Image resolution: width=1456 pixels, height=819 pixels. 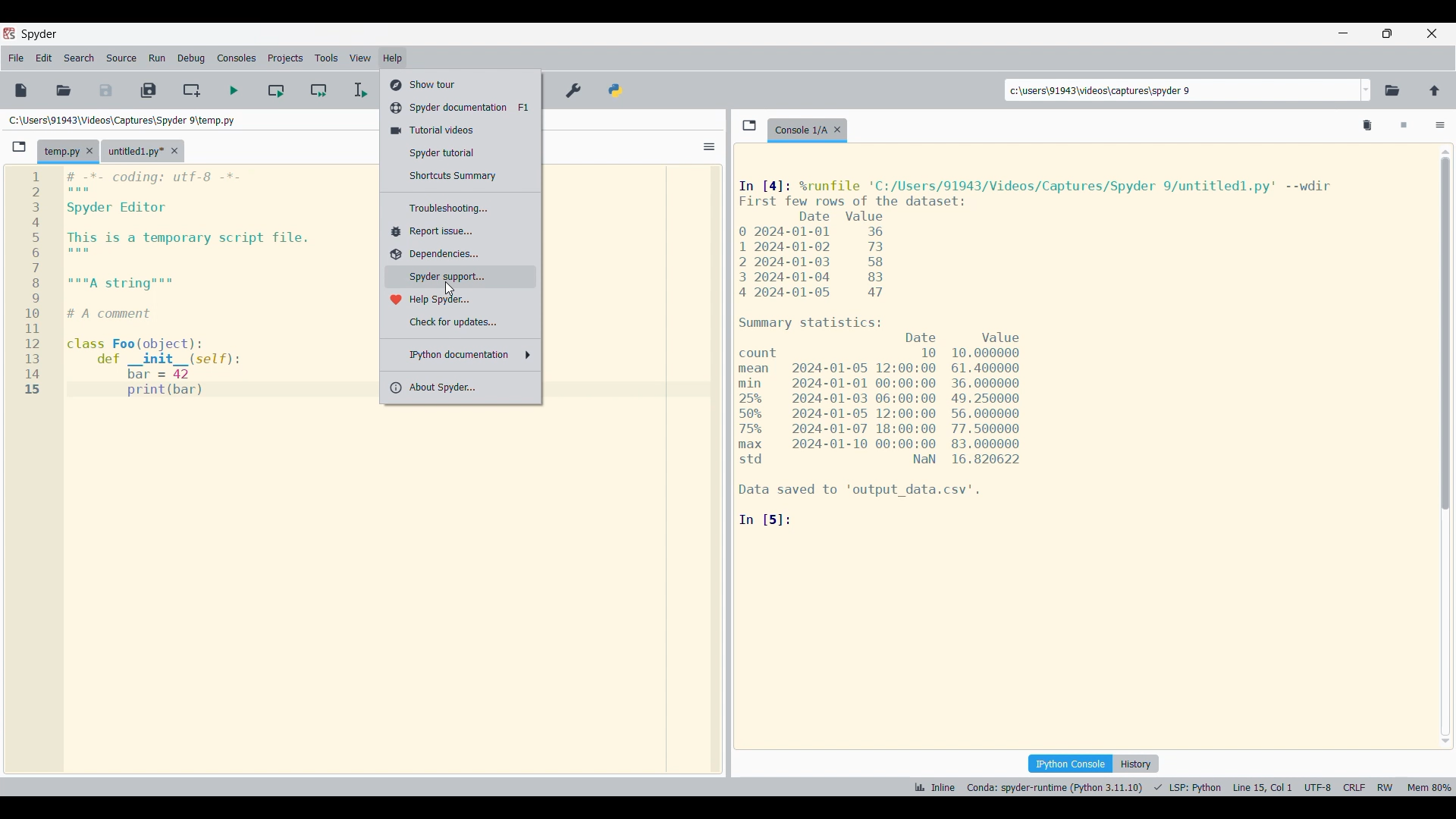 What do you see at coordinates (1368, 126) in the screenshot?
I see `Delete all variables from namespace` at bounding box center [1368, 126].